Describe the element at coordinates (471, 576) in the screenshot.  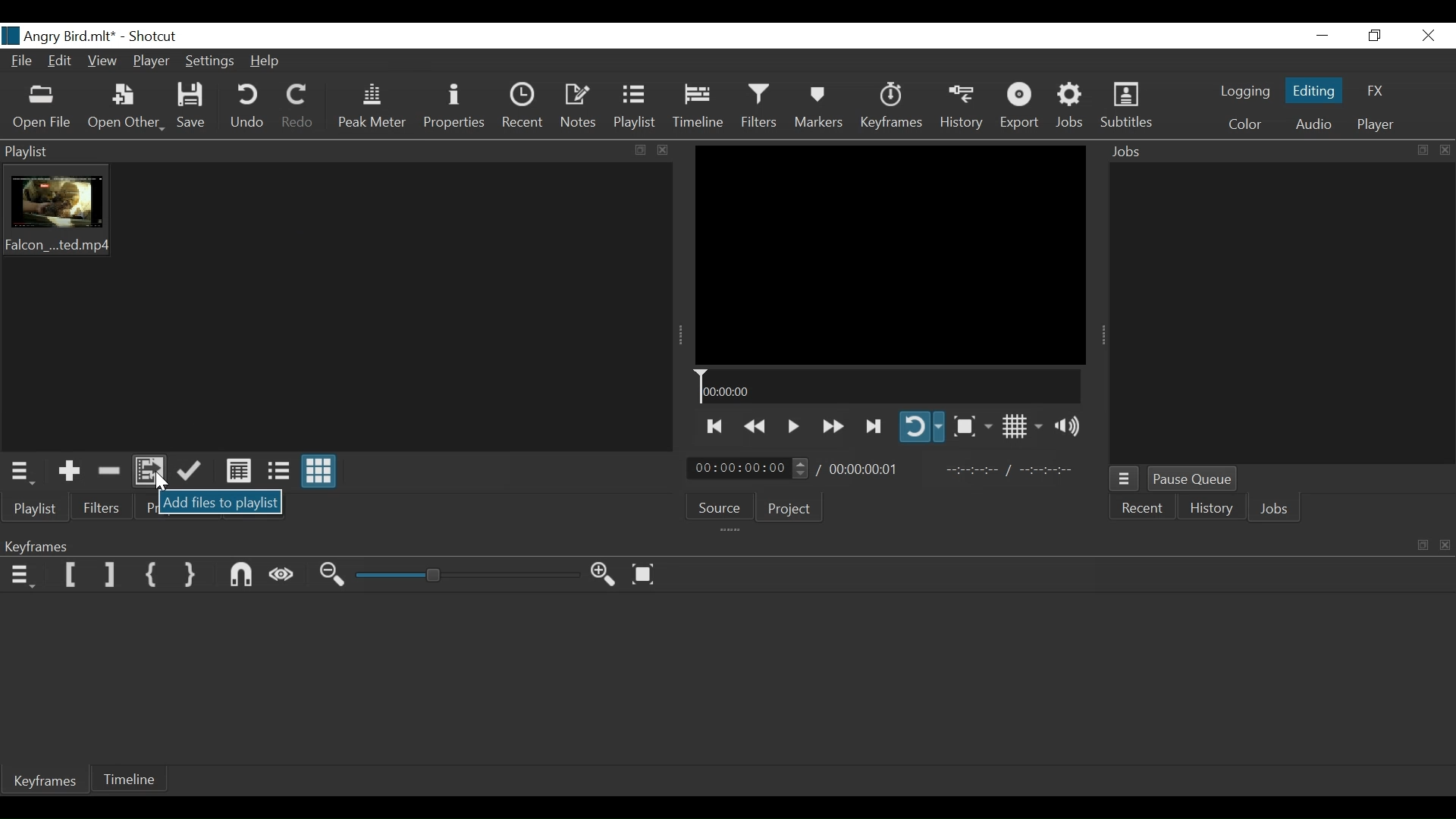
I see `Zoom Slider` at that location.